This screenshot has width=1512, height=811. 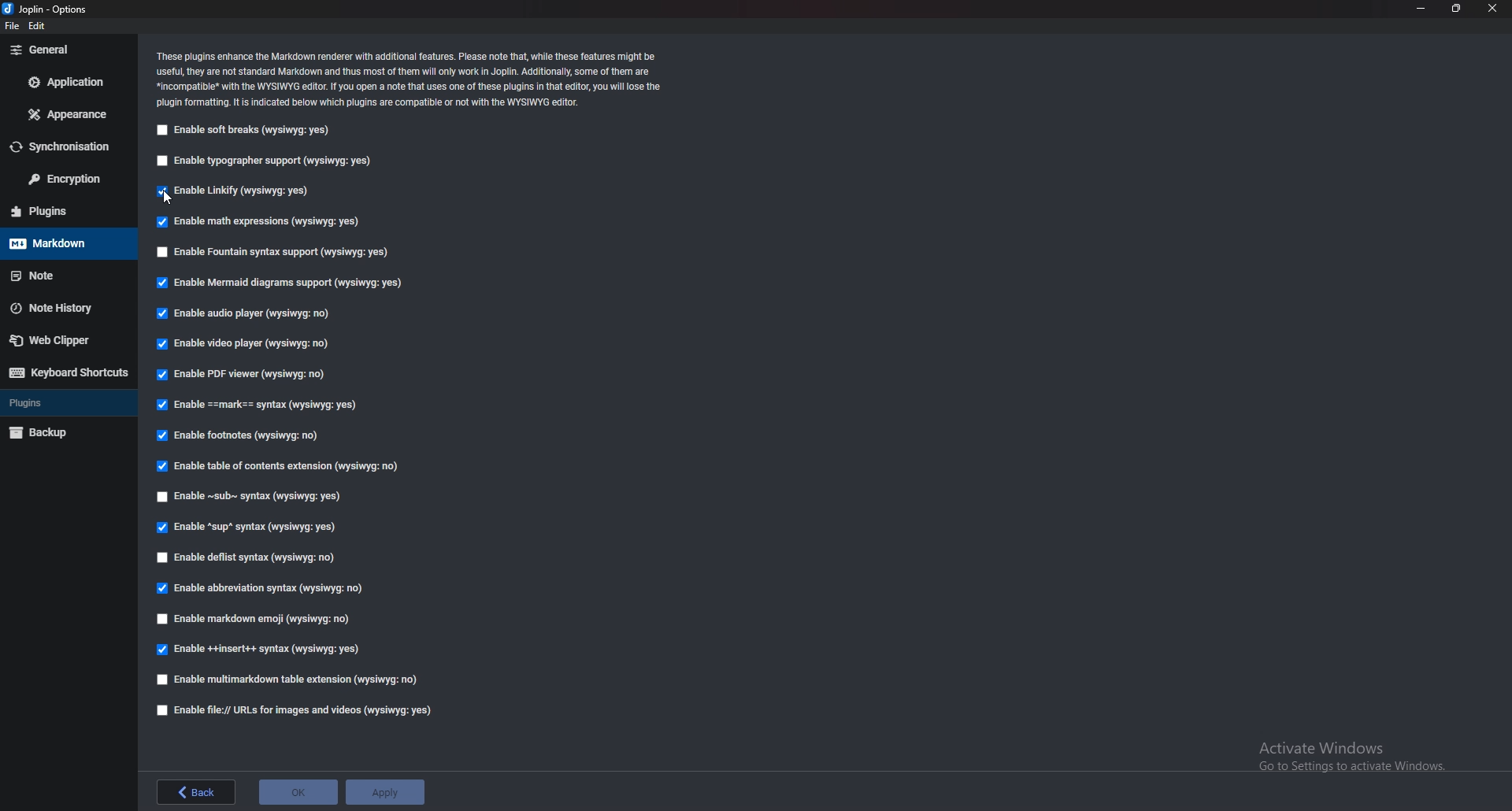 What do you see at coordinates (63, 210) in the screenshot?
I see `Plugins` at bounding box center [63, 210].